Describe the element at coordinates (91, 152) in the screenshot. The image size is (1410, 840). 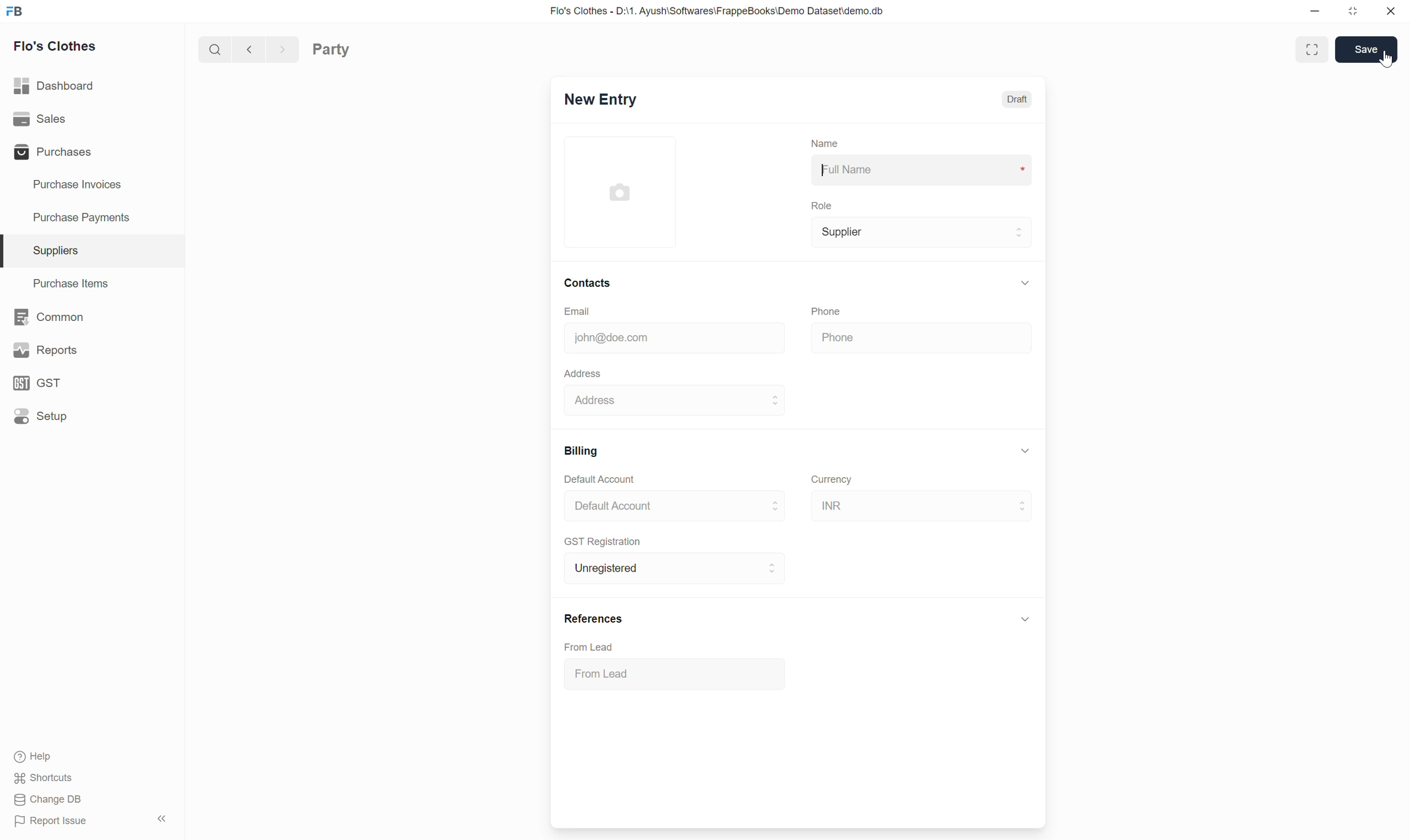
I see `Purchases` at that location.